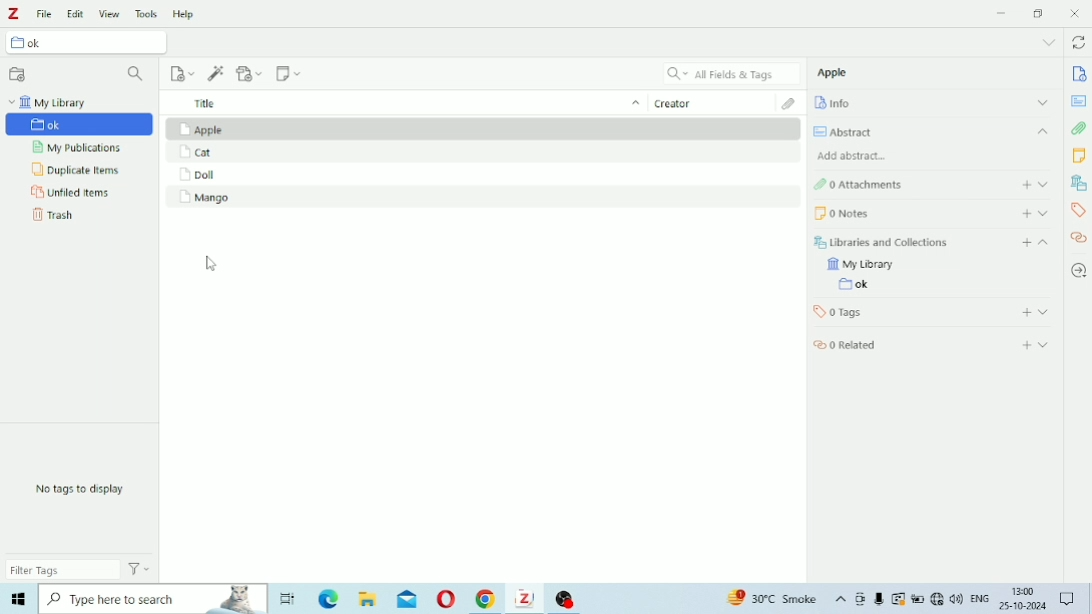 This screenshot has width=1092, height=614. Describe the element at coordinates (80, 125) in the screenshot. I see `Untitled` at that location.